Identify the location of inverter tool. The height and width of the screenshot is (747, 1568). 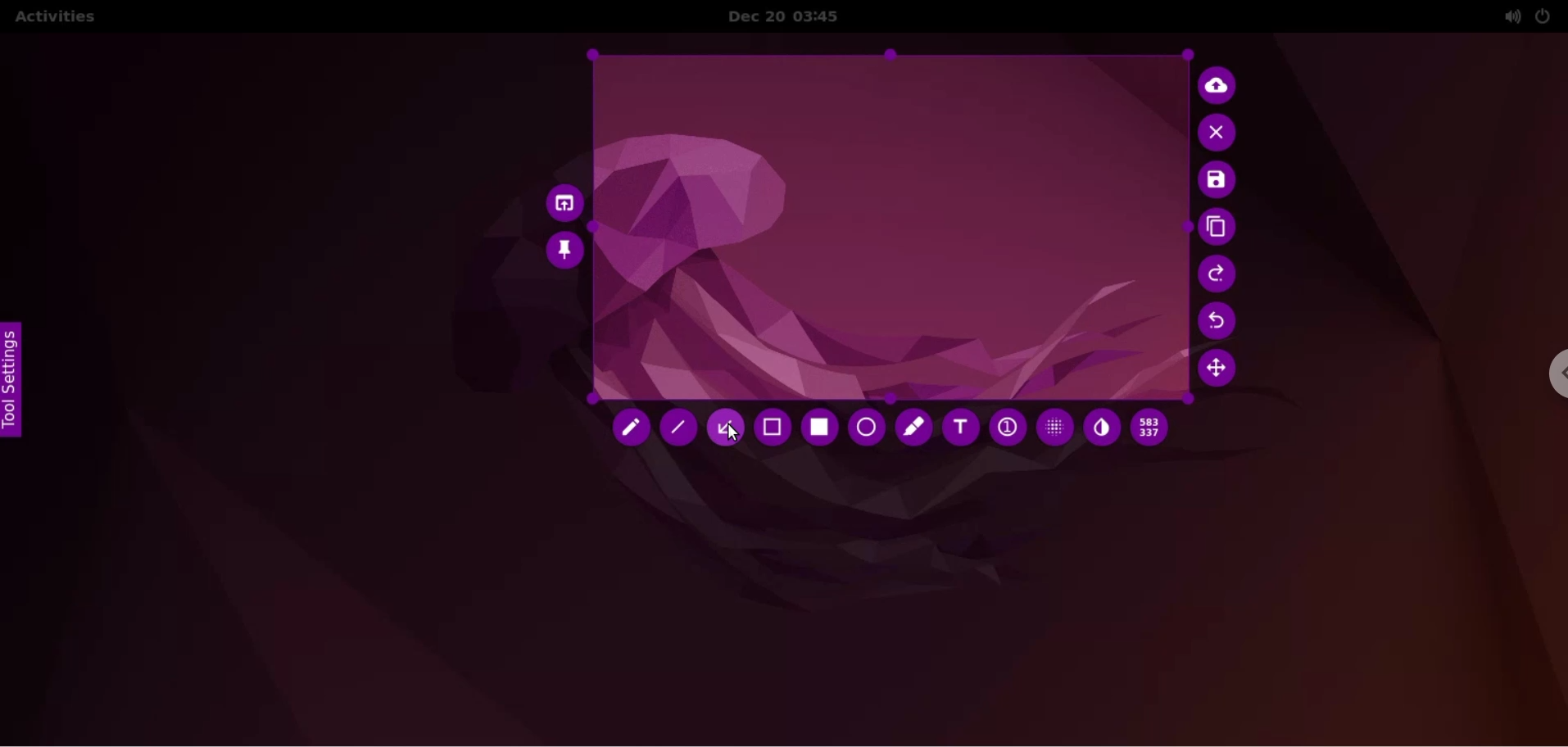
(1102, 428).